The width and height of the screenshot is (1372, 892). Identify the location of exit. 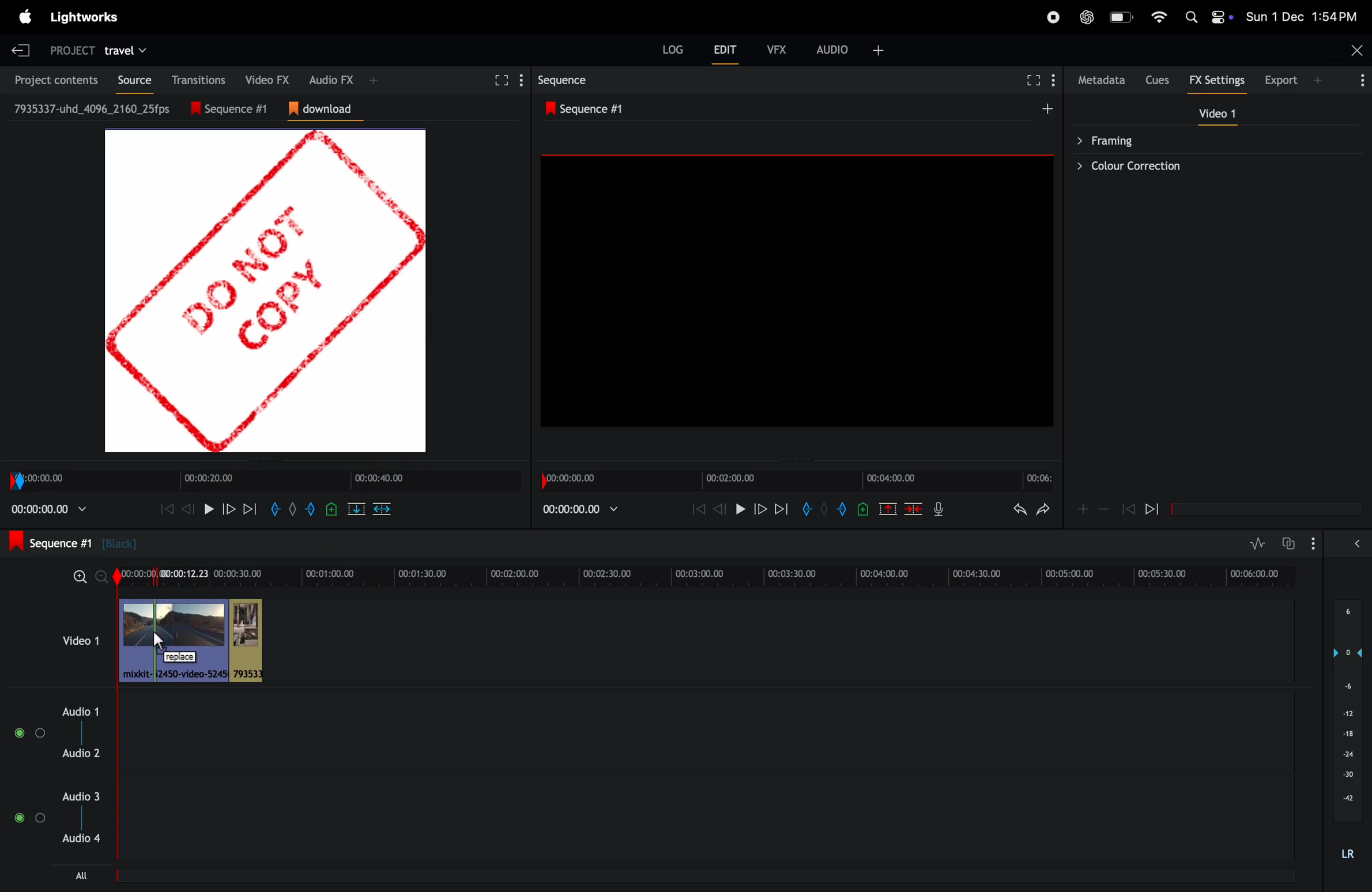
(21, 50).